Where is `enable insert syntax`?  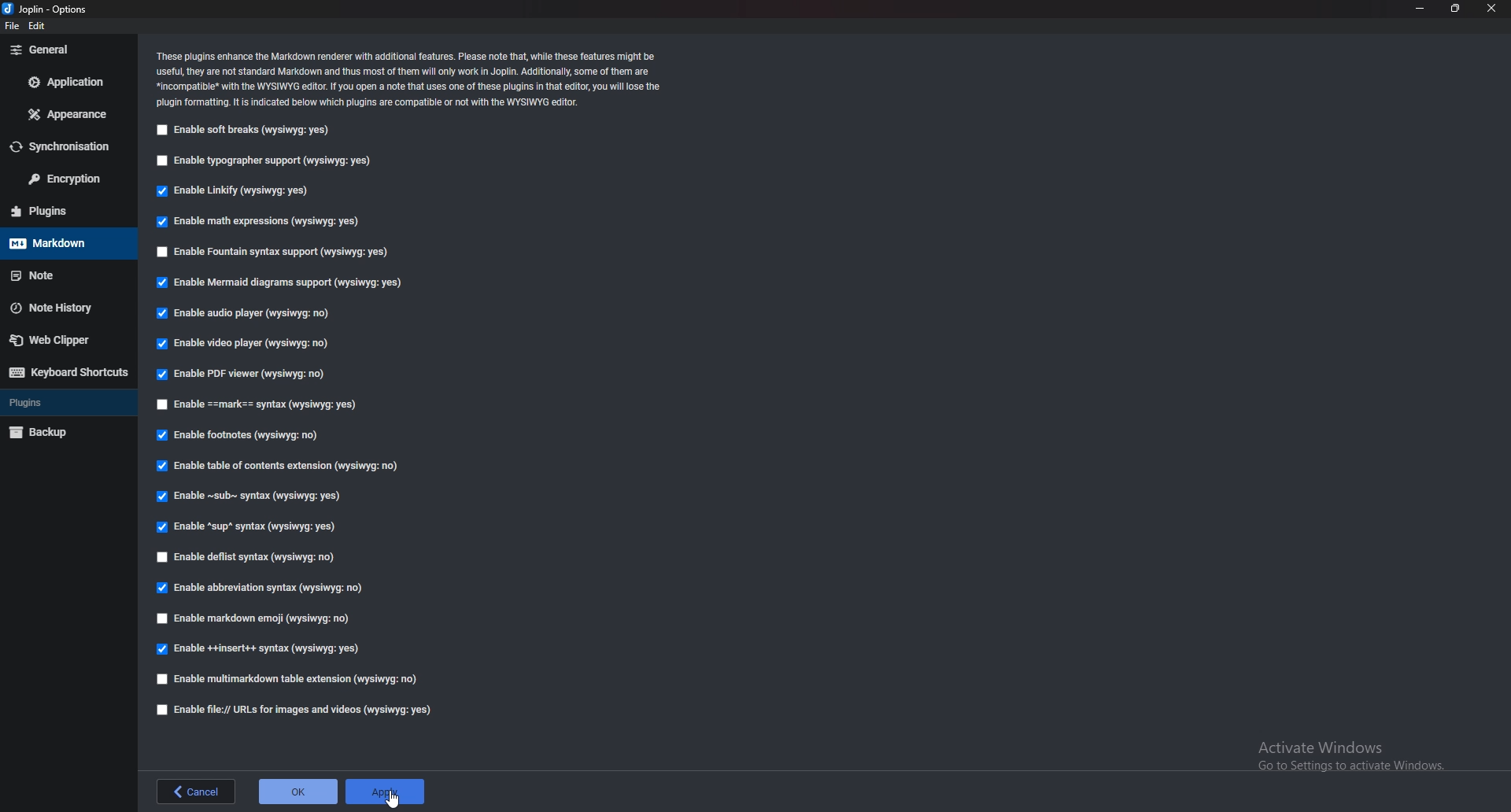
enable insert syntax is located at coordinates (259, 648).